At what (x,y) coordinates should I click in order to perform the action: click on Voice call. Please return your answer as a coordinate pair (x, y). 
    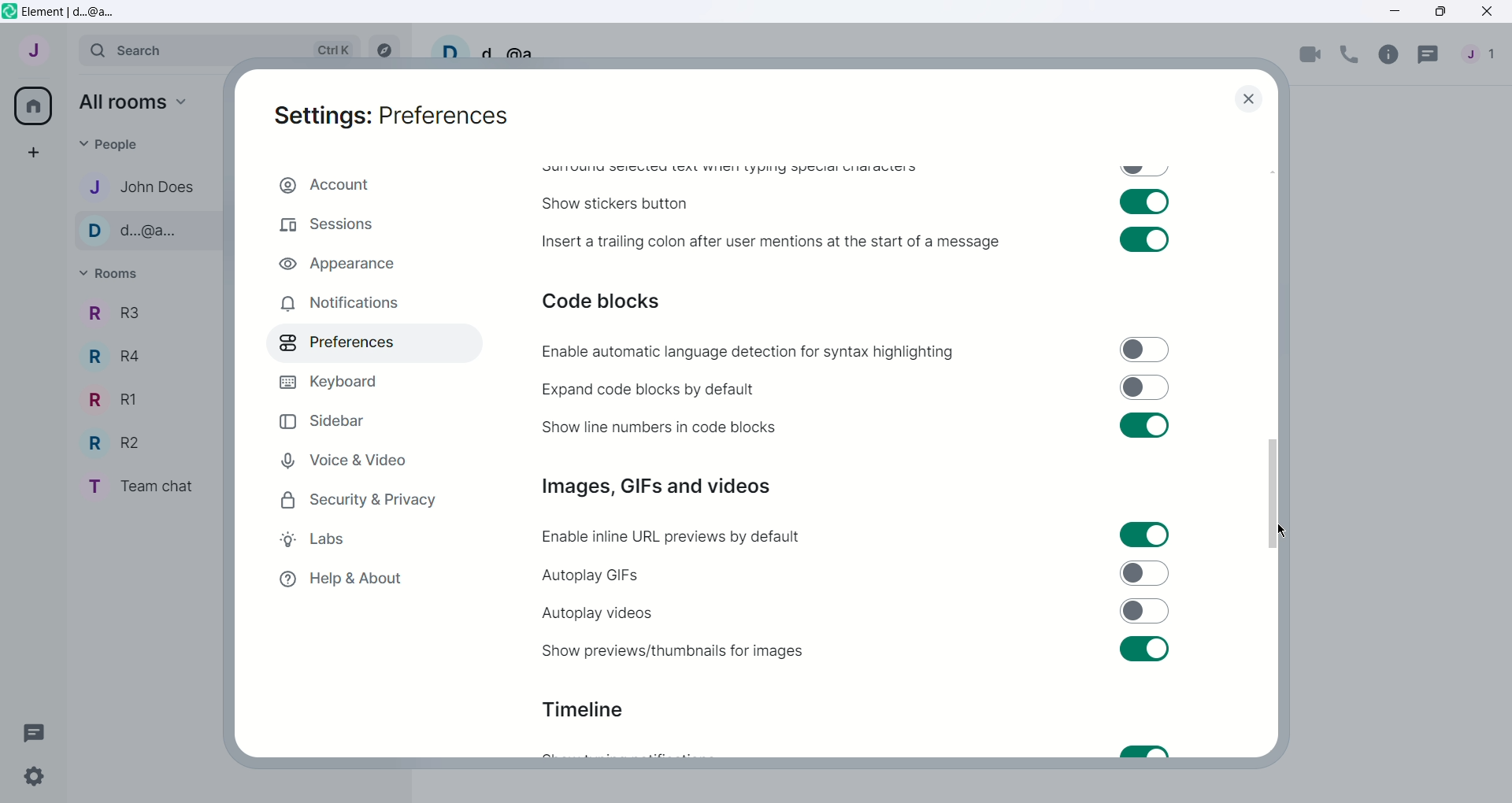
    Looking at the image, I should click on (1350, 55).